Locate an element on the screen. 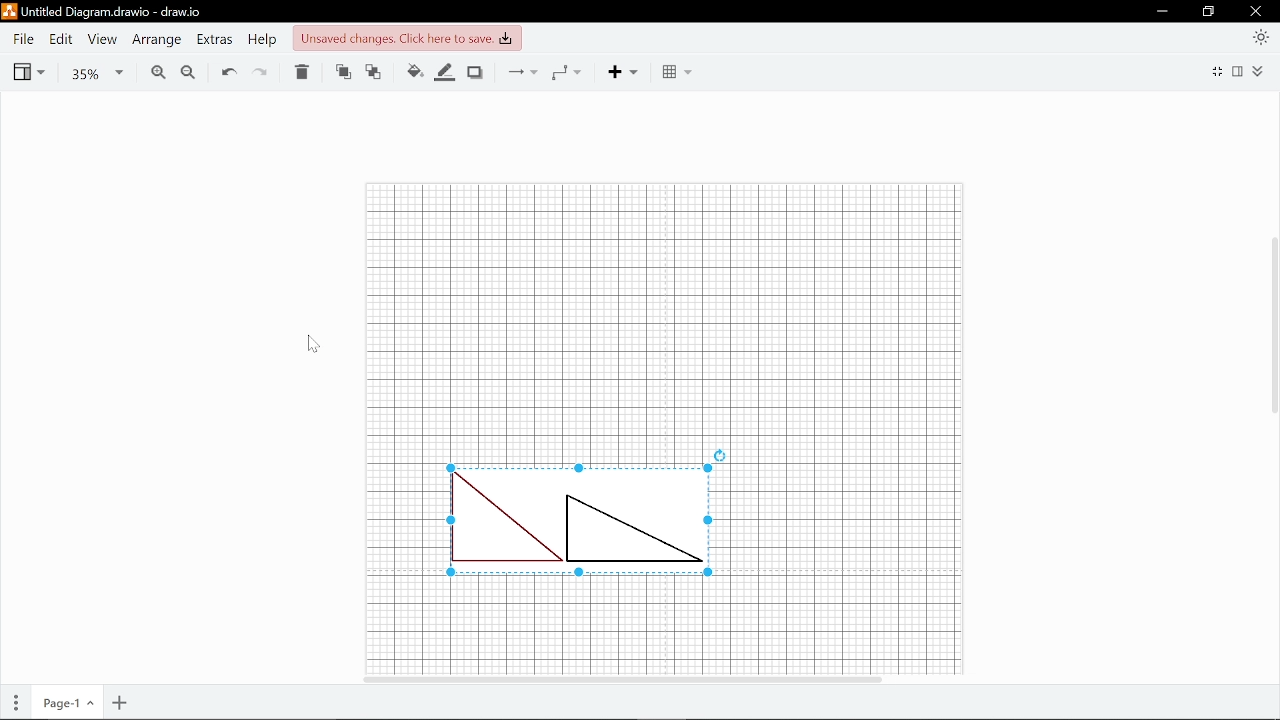  View is located at coordinates (29, 72).